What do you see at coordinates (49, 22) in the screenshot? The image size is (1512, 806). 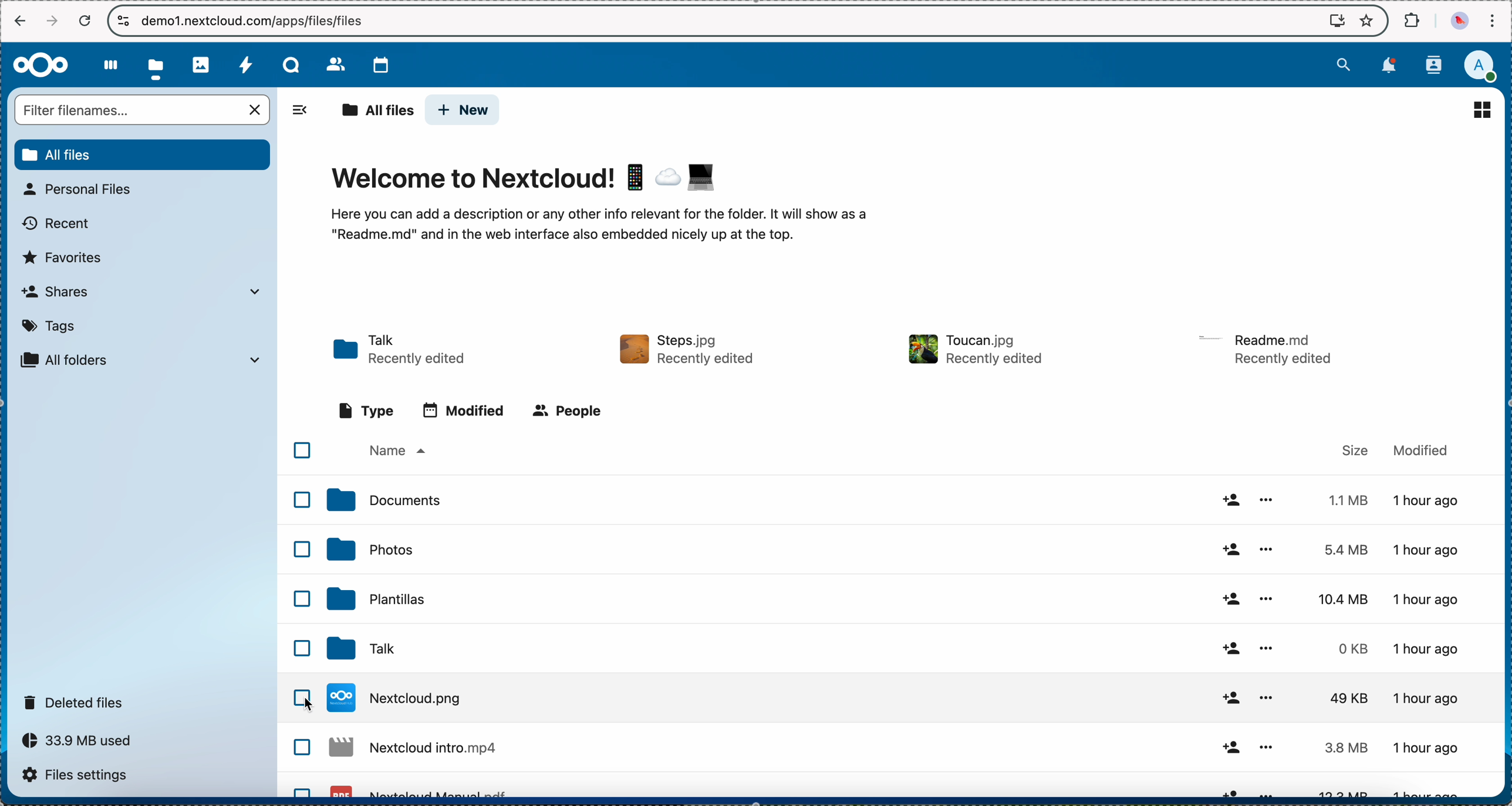 I see `navigate foward` at bounding box center [49, 22].